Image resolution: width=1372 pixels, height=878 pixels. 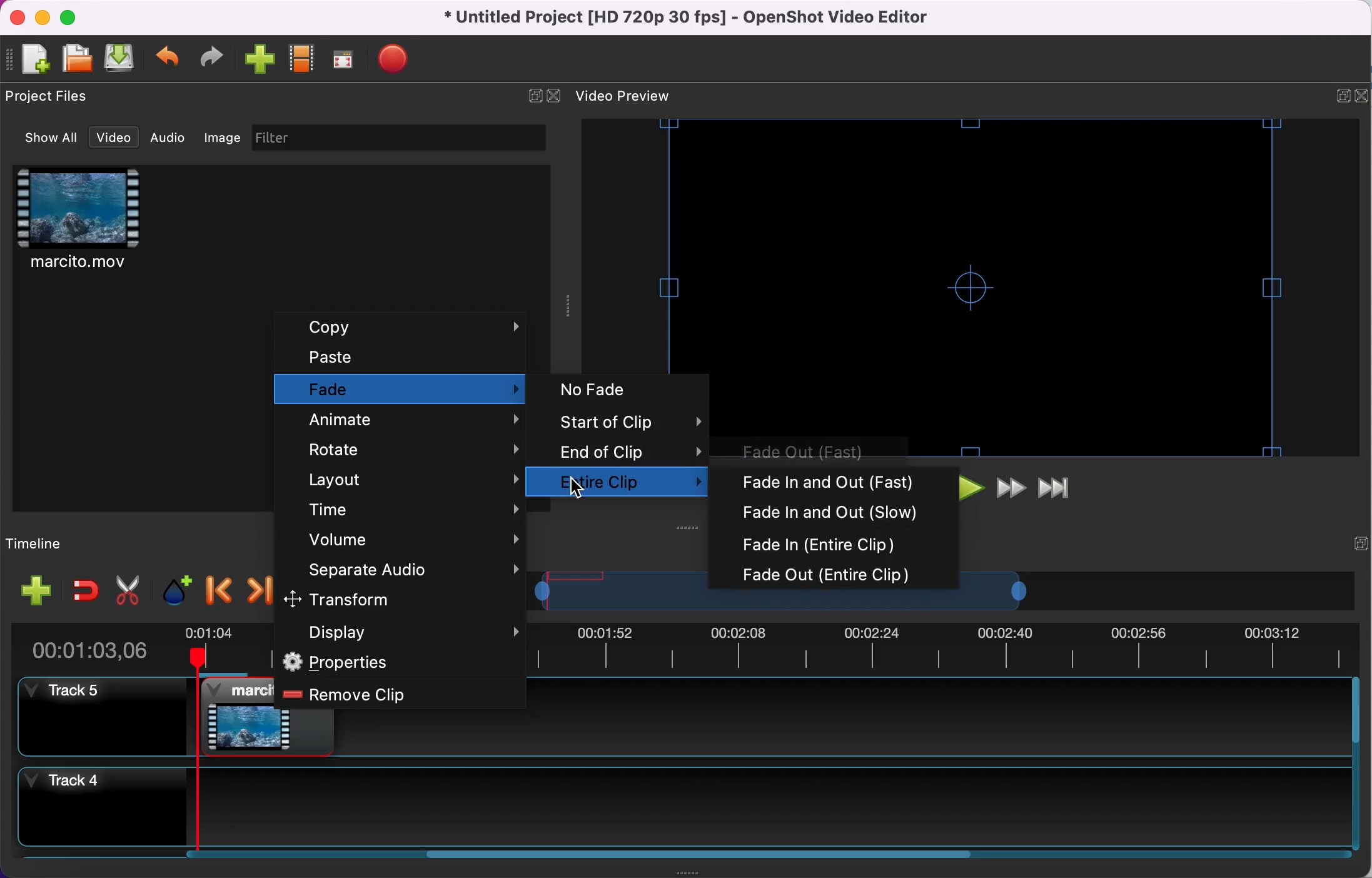 I want to click on add track, so click(x=35, y=590).